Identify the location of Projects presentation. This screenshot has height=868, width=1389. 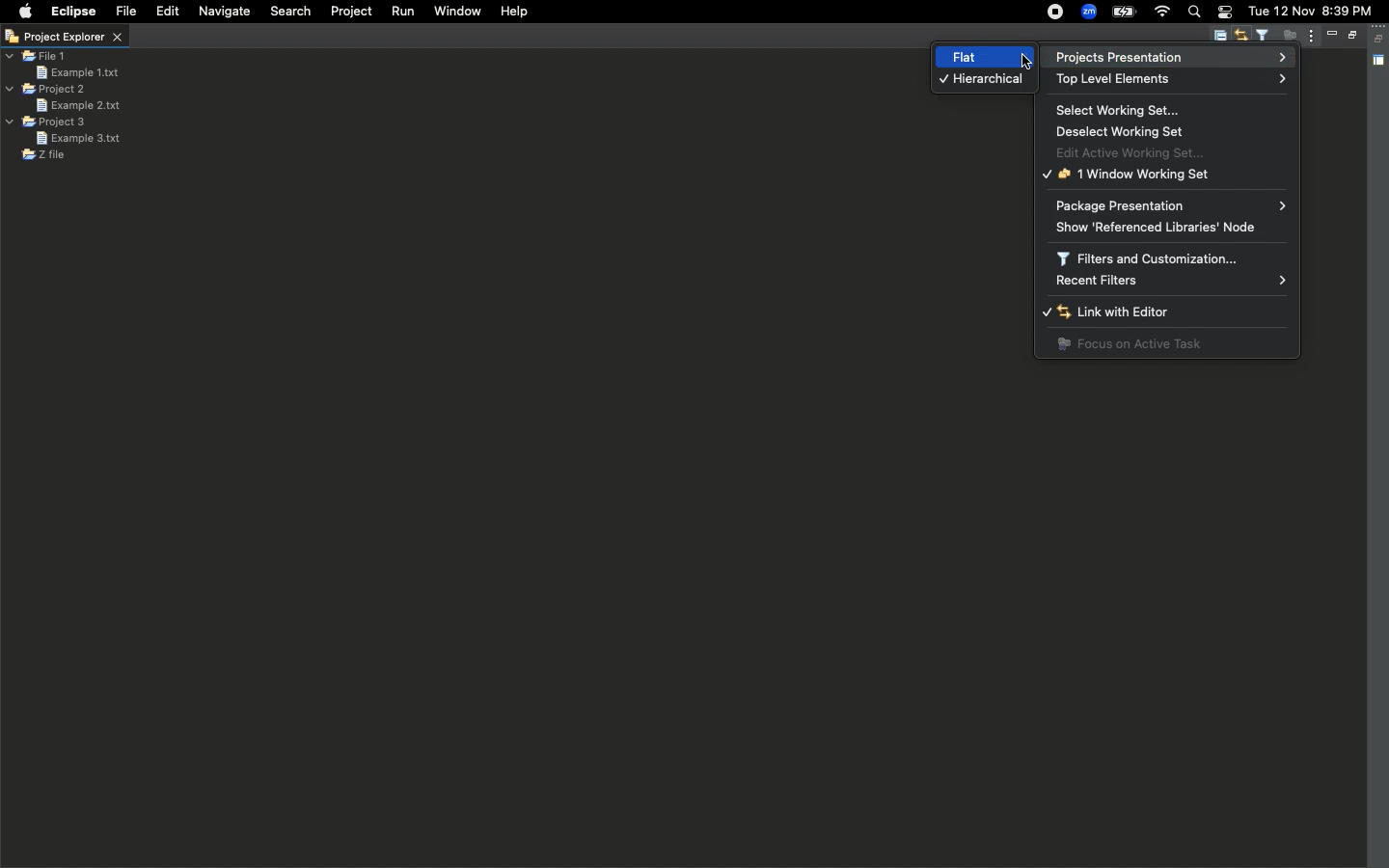
(1163, 56).